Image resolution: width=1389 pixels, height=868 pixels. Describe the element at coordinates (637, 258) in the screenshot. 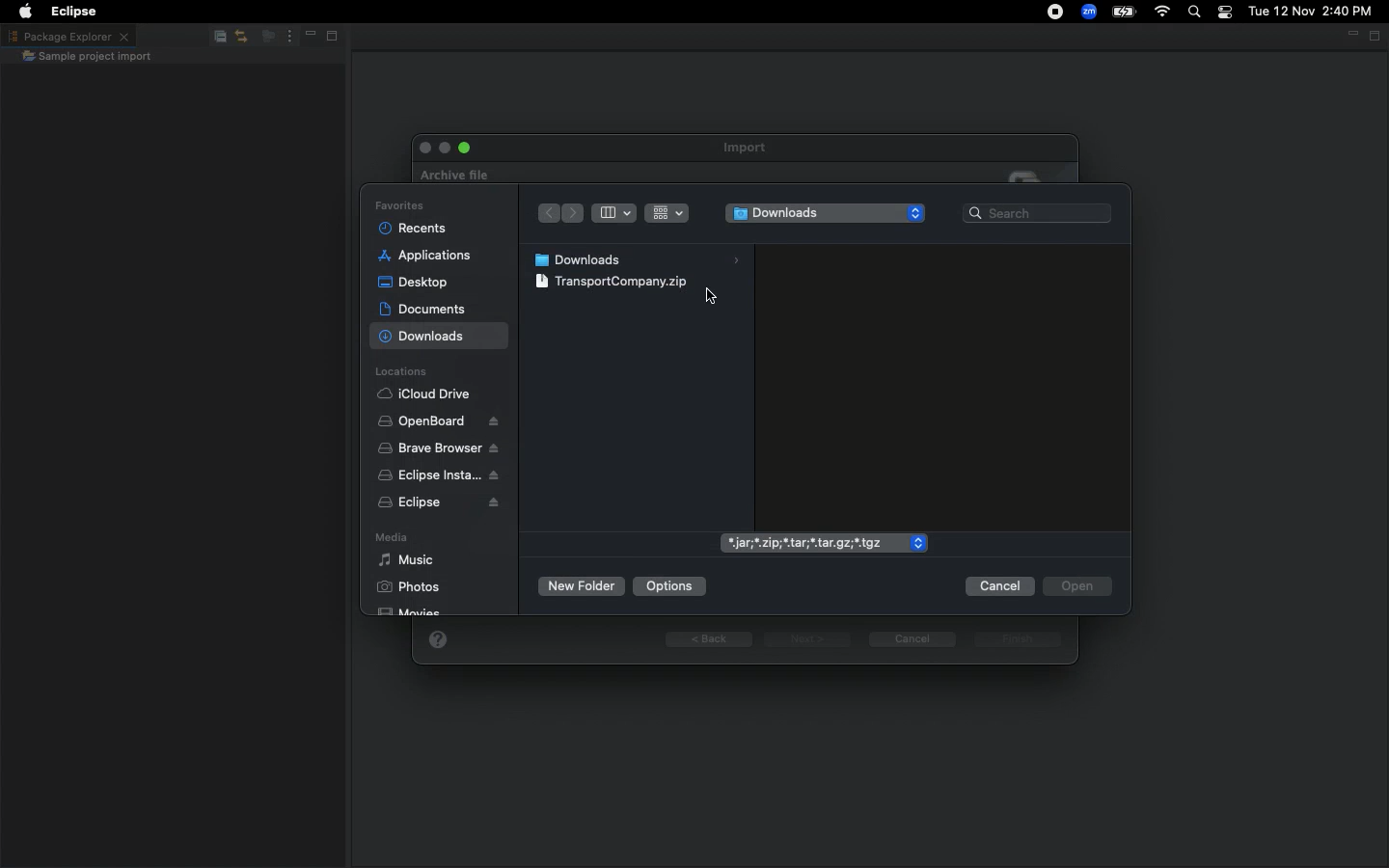

I see `Downloads` at that location.